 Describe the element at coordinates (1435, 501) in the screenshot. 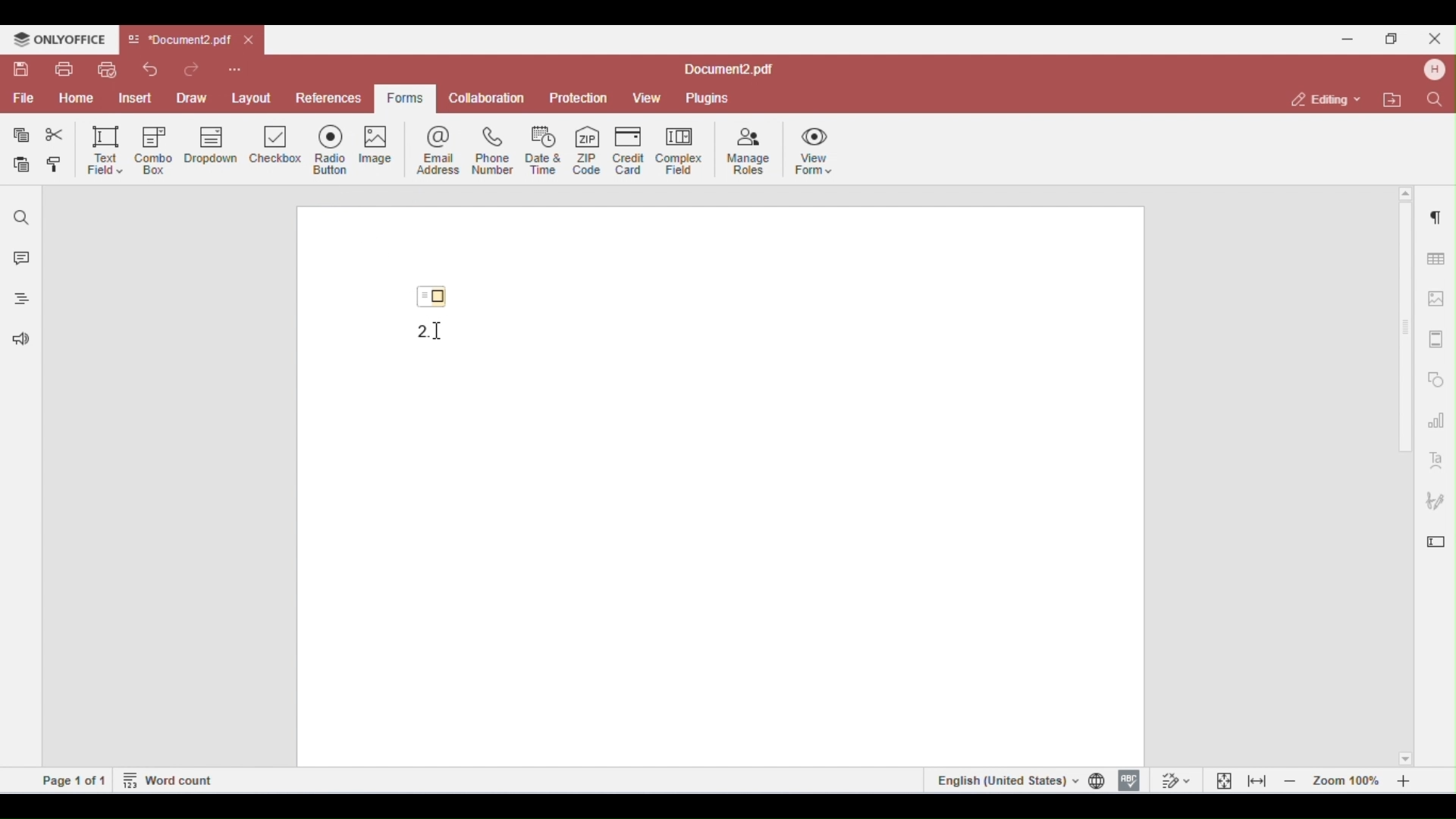

I see `signature settings` at that location.